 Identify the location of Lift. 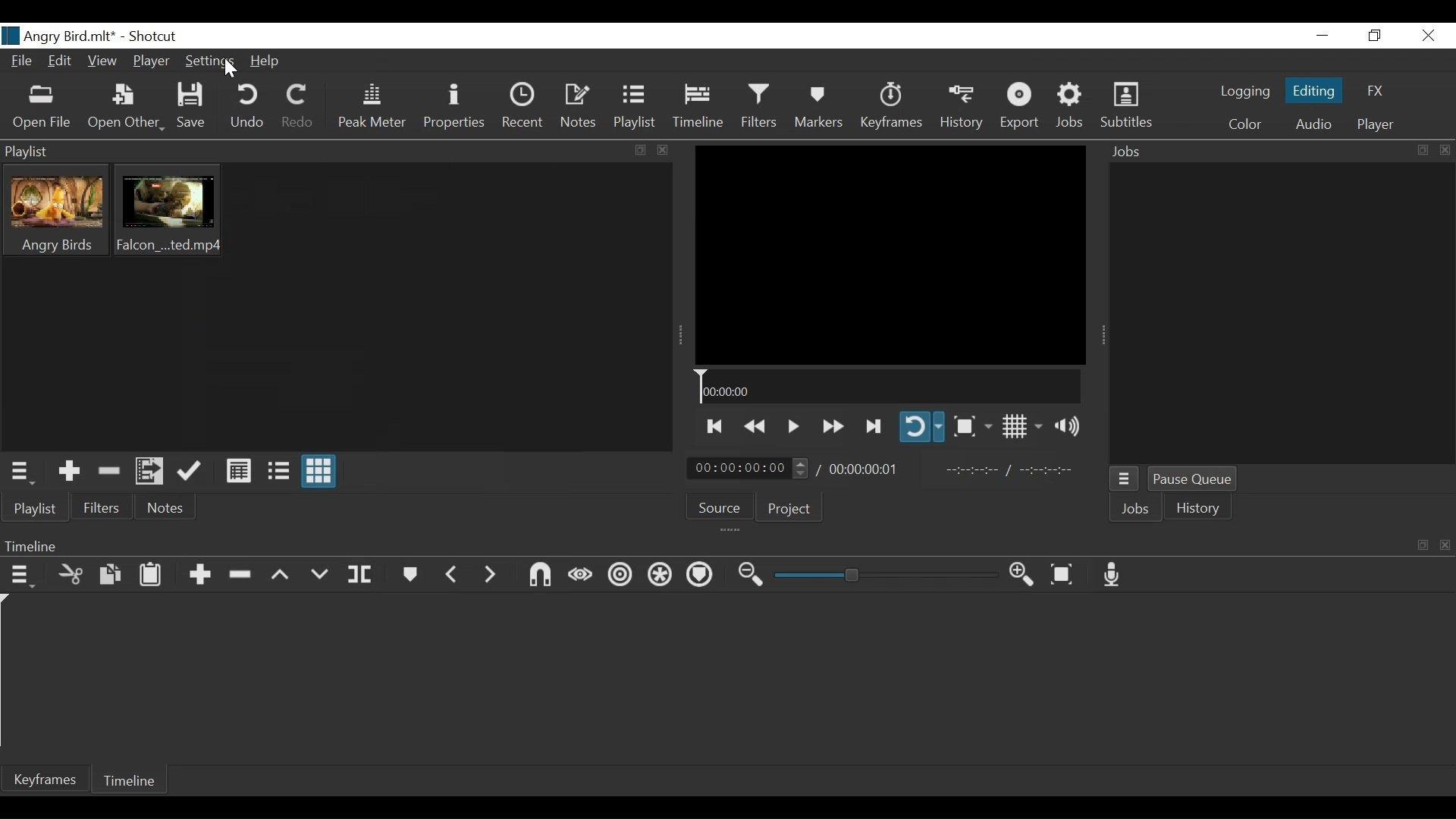
(281, 578).